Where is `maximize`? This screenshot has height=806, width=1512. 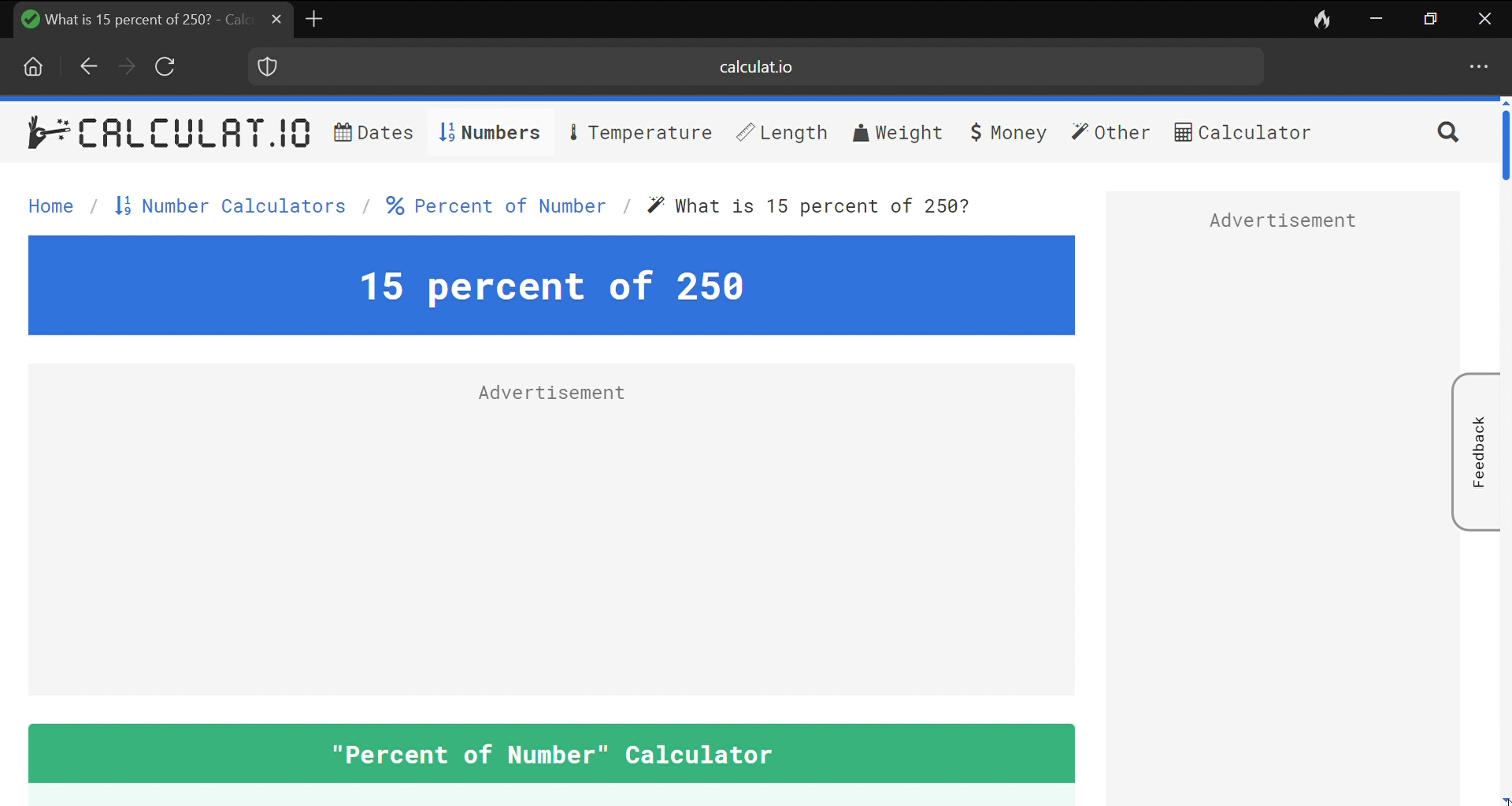 maximize is located at coordinates (1432, 20).